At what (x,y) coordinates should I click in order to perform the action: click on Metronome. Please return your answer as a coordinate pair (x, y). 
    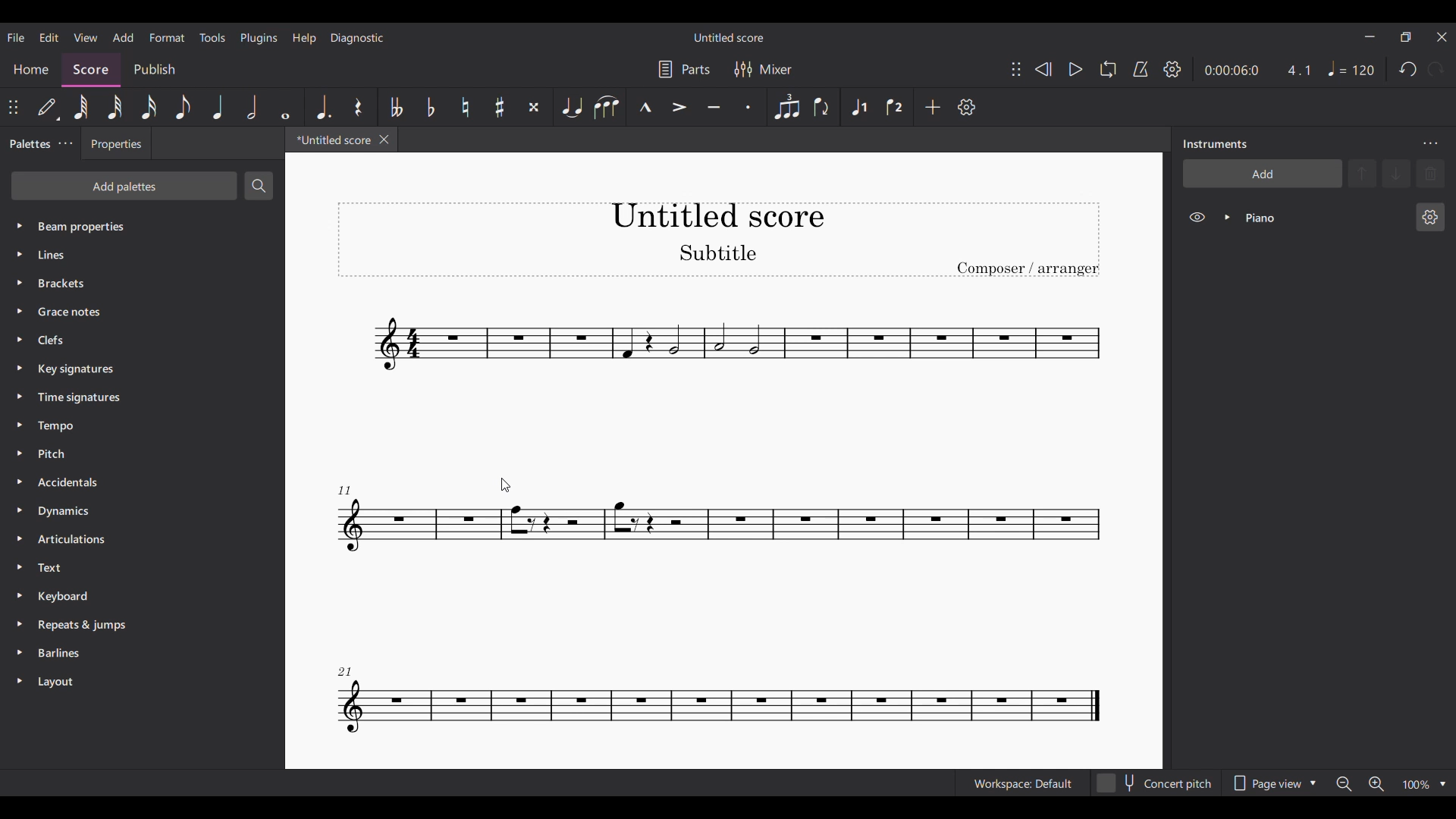
    Looking at the image, I should click on (1141, 69).